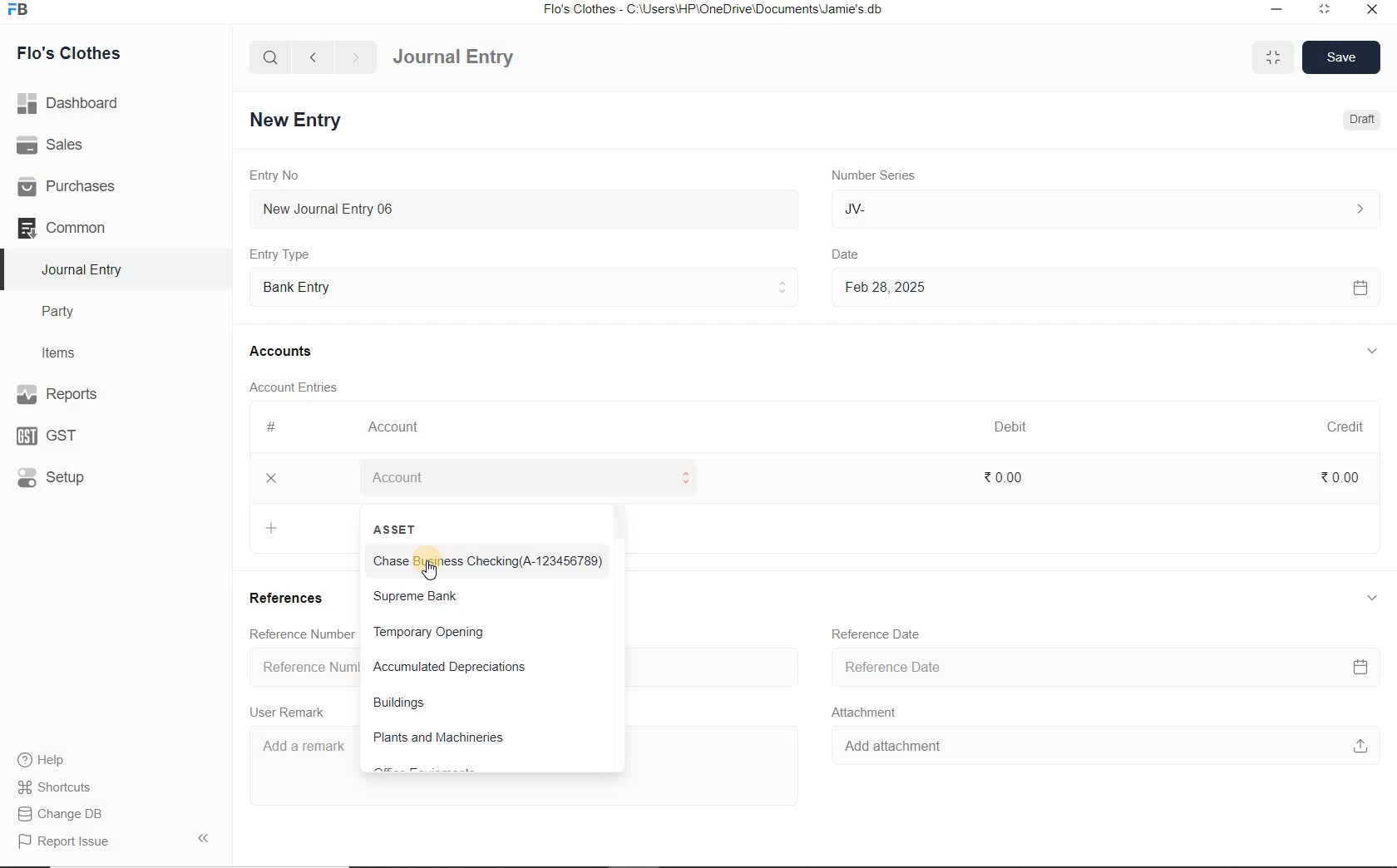 This screenshot has width=1397, height=868. What do you see at coordinates (857, 252) in the screenshot?
I see `Date` at bounding box center [857, 252].